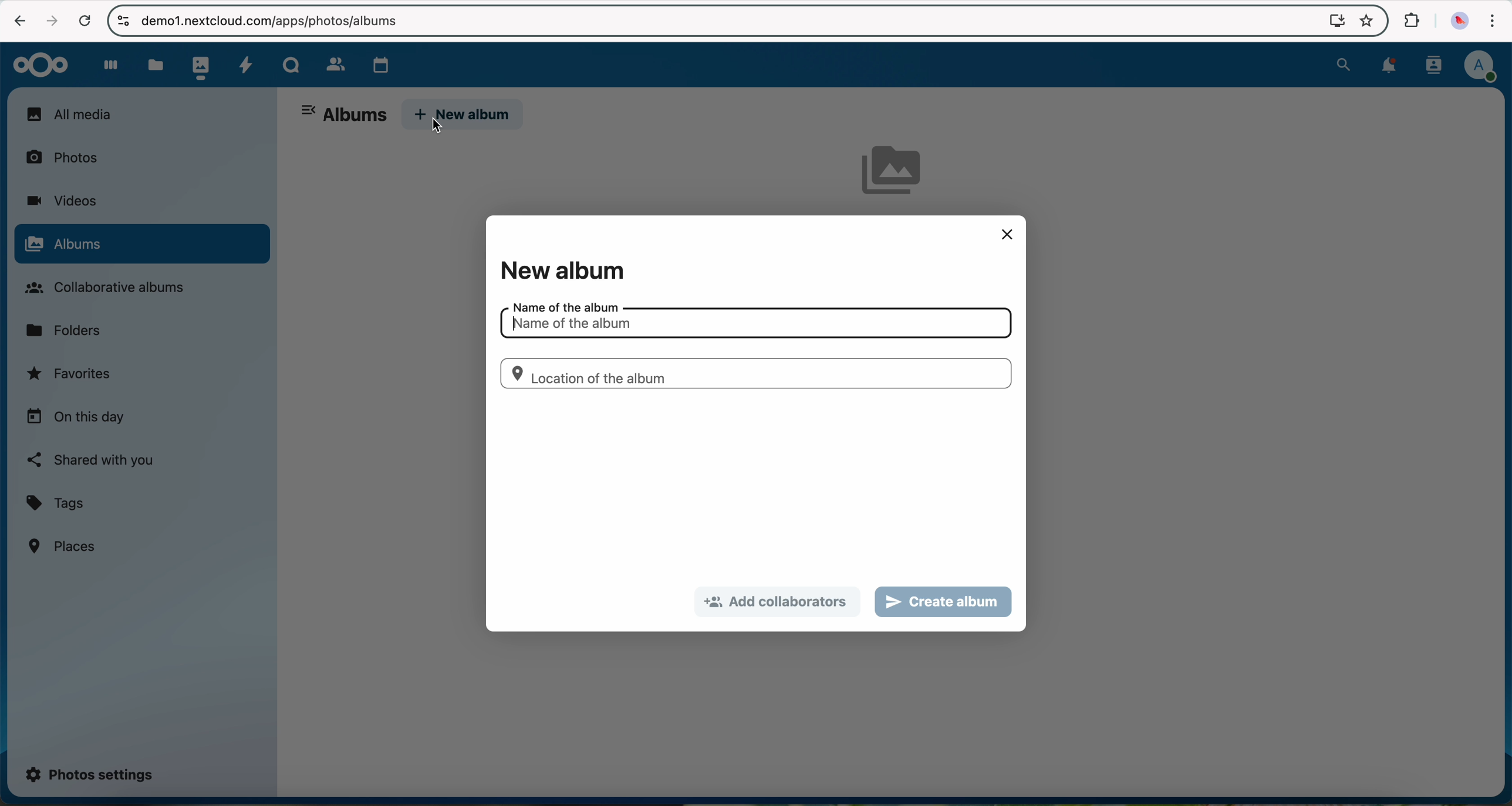 This screenshot has height=806, width=1512. I want to click on screen, so click(1331, 20).